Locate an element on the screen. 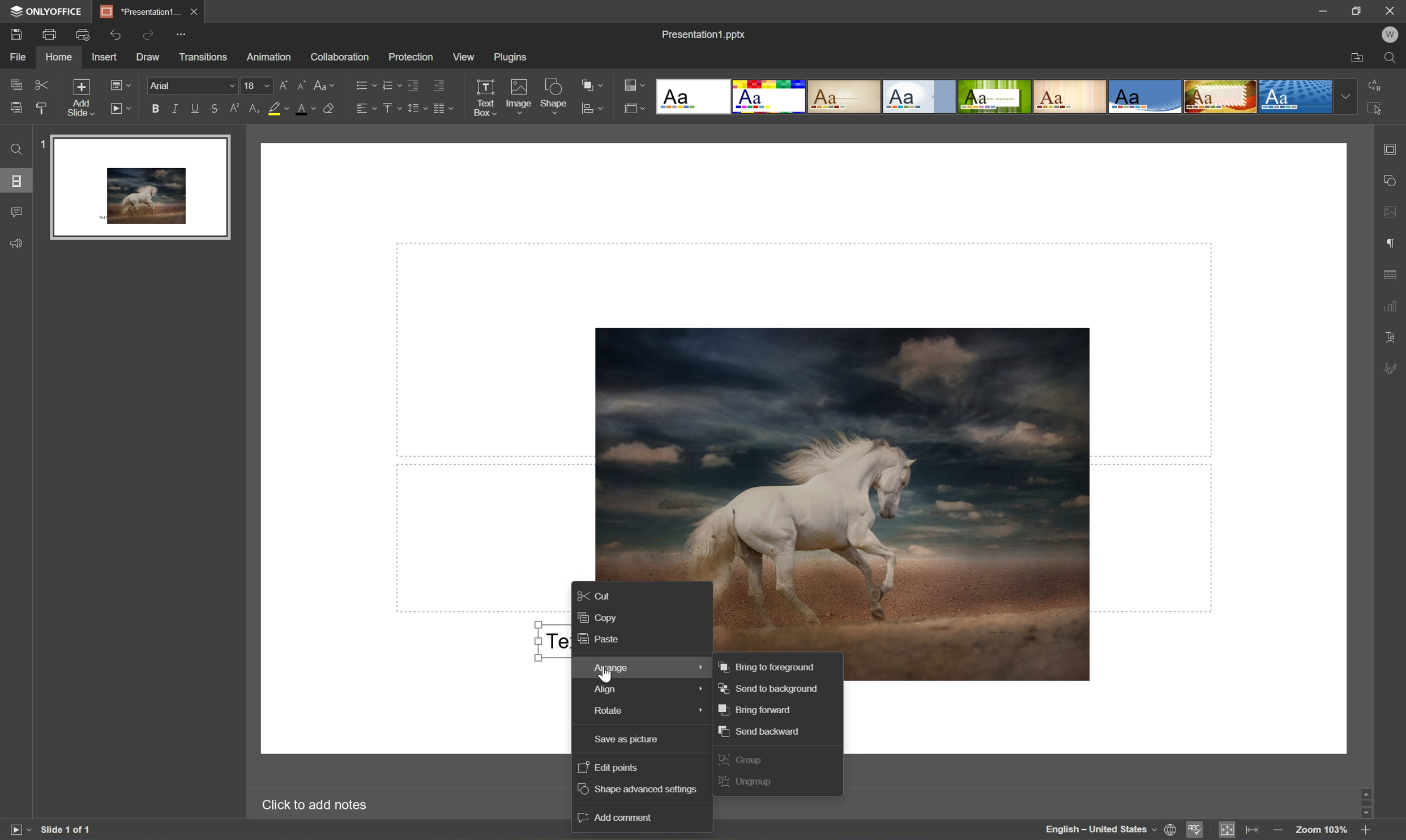  Print file is located at coordinates (50, 32).